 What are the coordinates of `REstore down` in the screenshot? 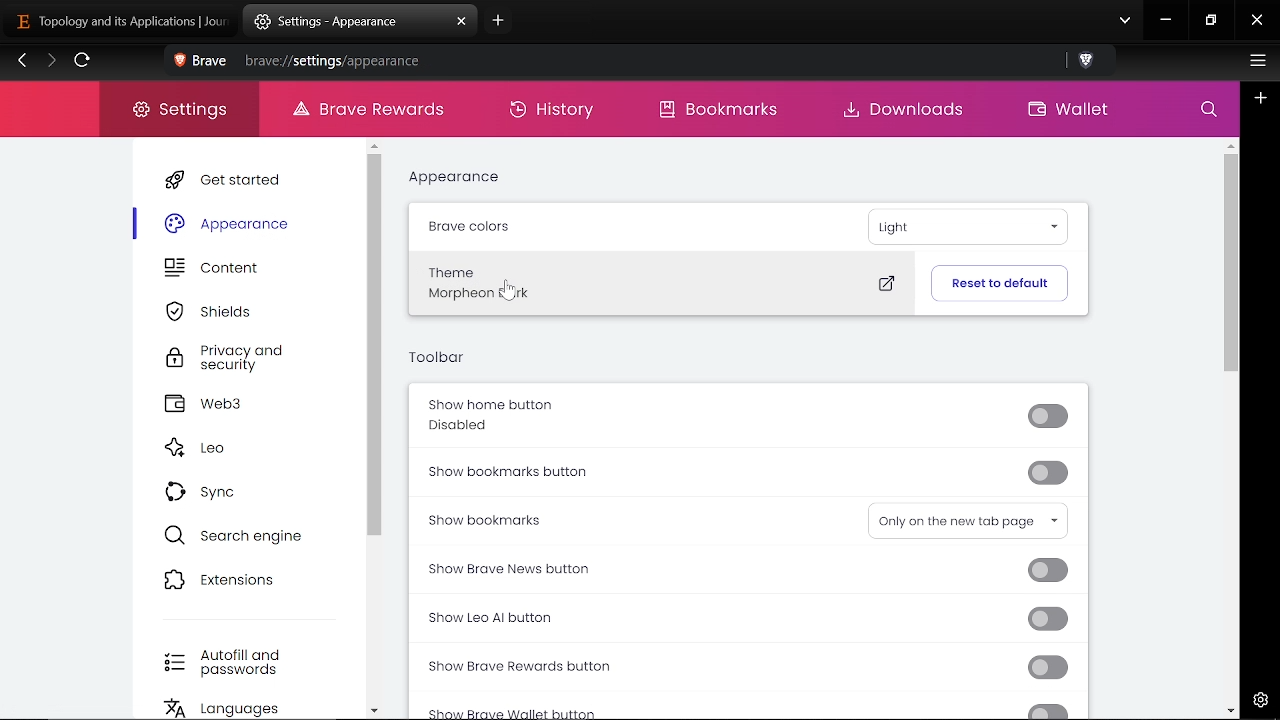 It's located at (1213, 21).